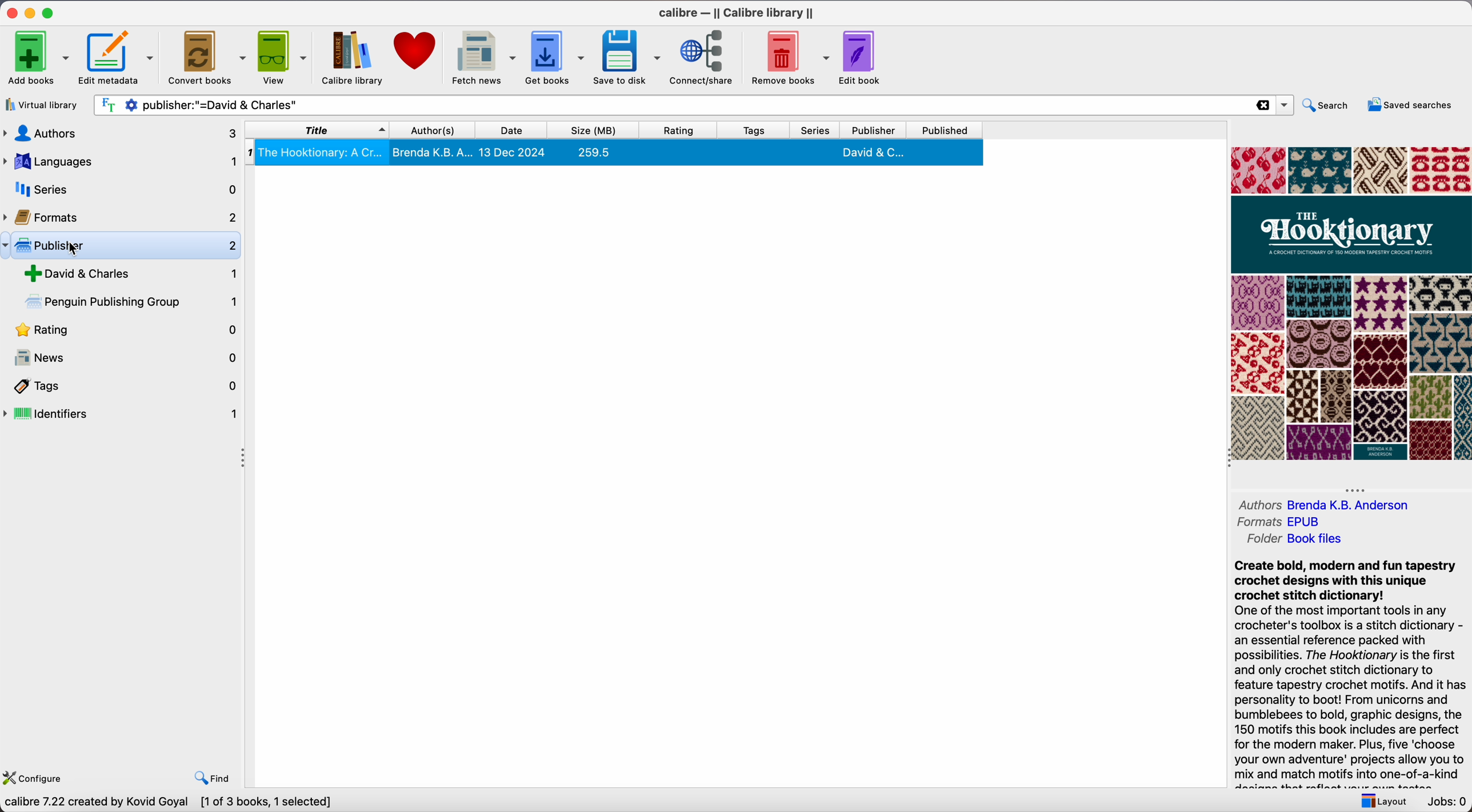 The height and width of the screenshot is (812, 1472). Describe the element at coordinates (122, 358) in the screenshot. I see `news` at that location.